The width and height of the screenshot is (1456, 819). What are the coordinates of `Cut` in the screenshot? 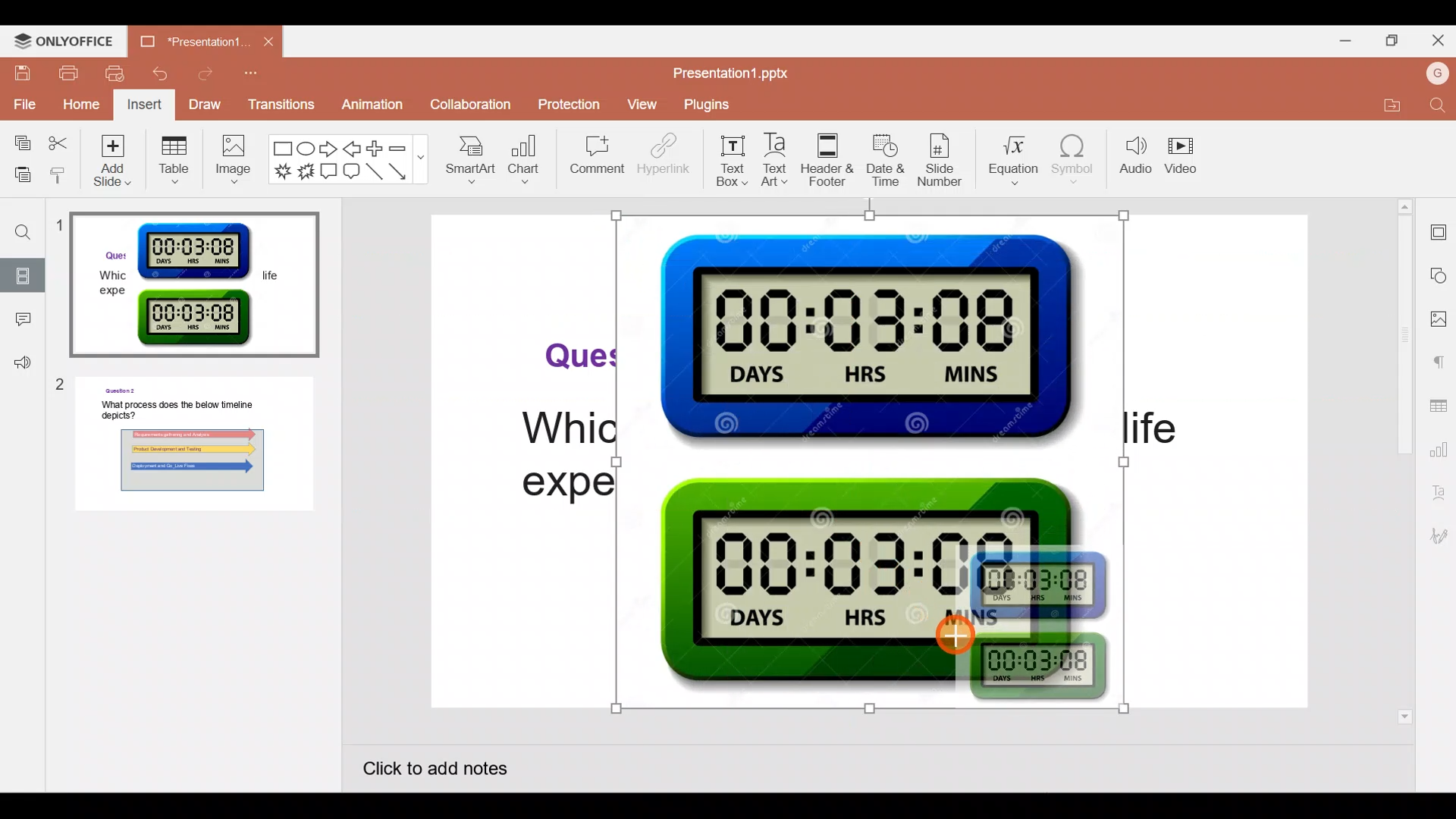 It's located at (60, 143).